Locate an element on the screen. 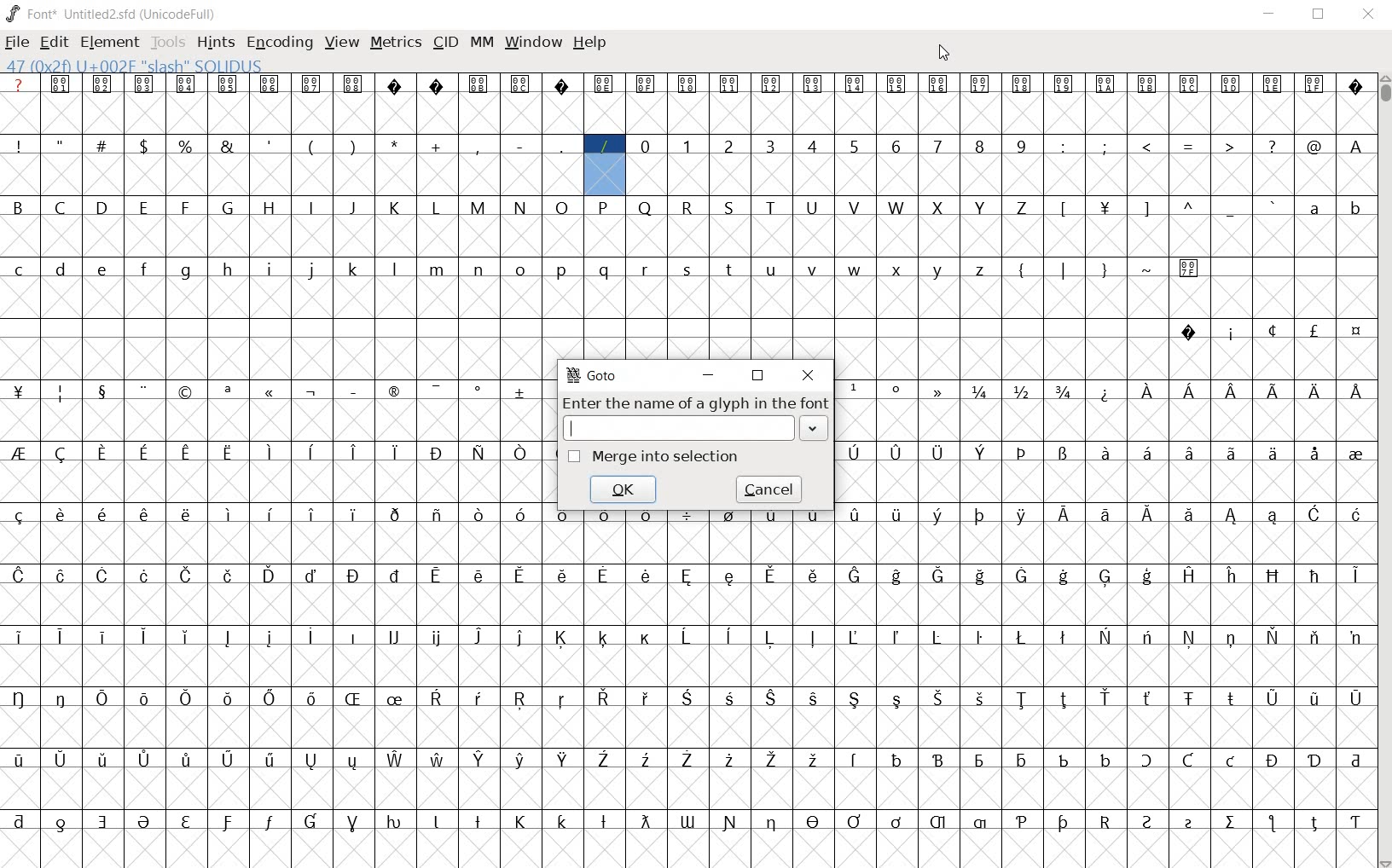  glyph is located at coordinates (229, 269).